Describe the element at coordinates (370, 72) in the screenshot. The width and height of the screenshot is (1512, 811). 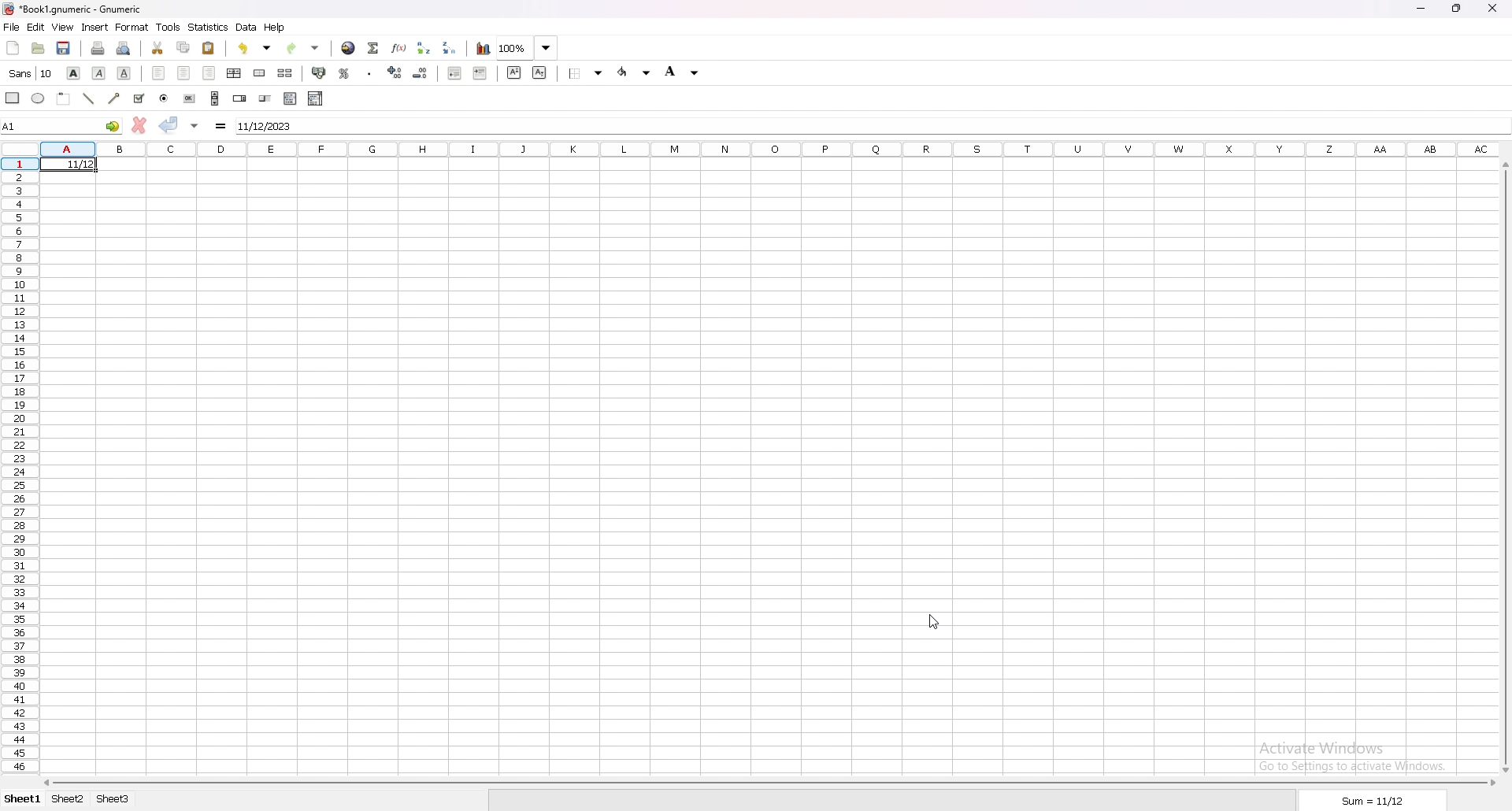
I see `thousands separator` at that location.